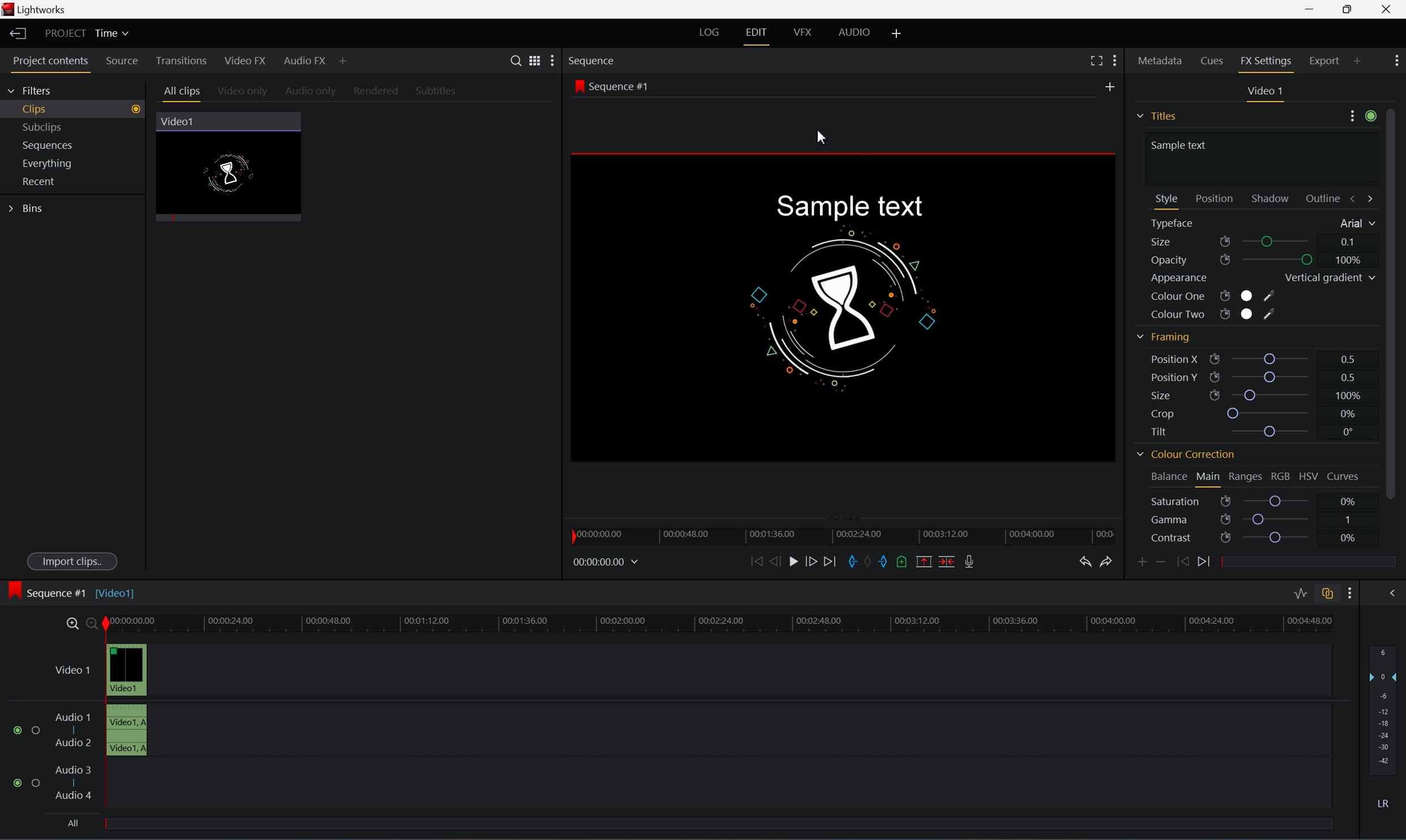 The image size is (1406, 840). What do you see at coordinates (1348, 500) in the screenshot?
I see `0%` at bounding box center [1348, 500].